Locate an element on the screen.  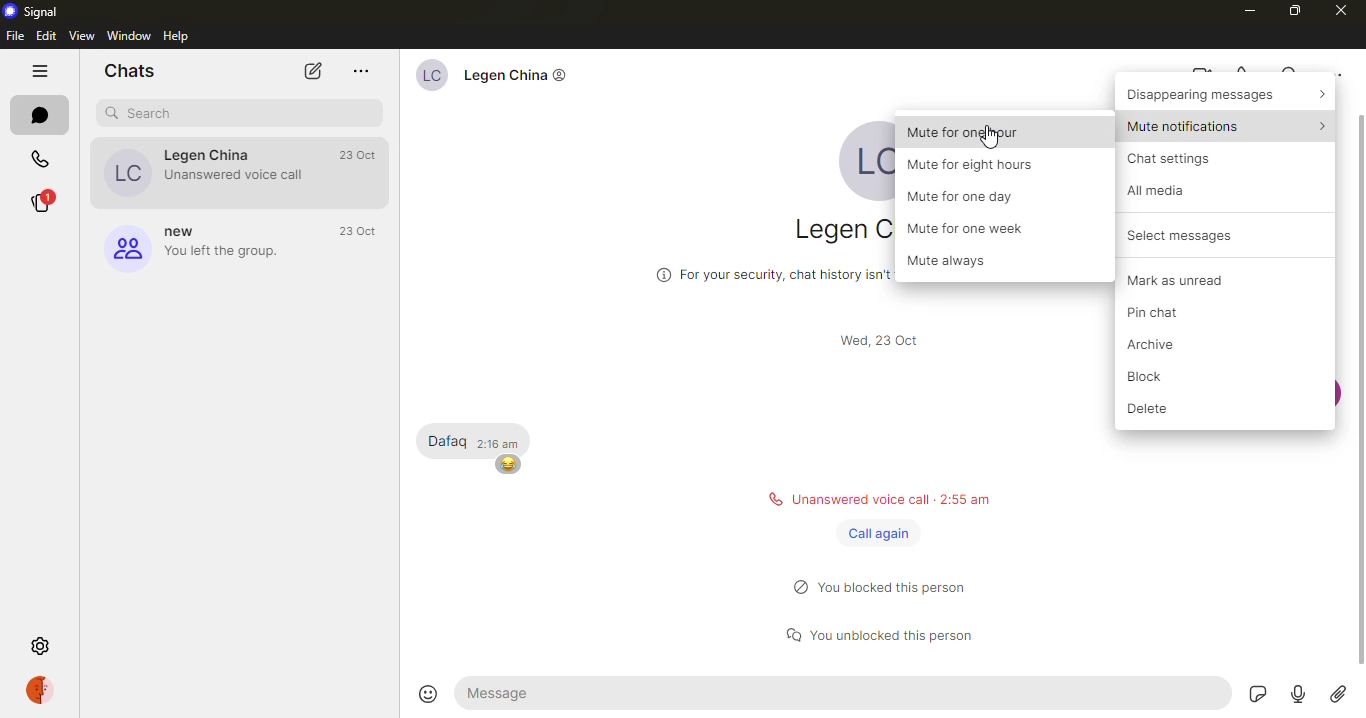
window is located at coordinates (128, 35).